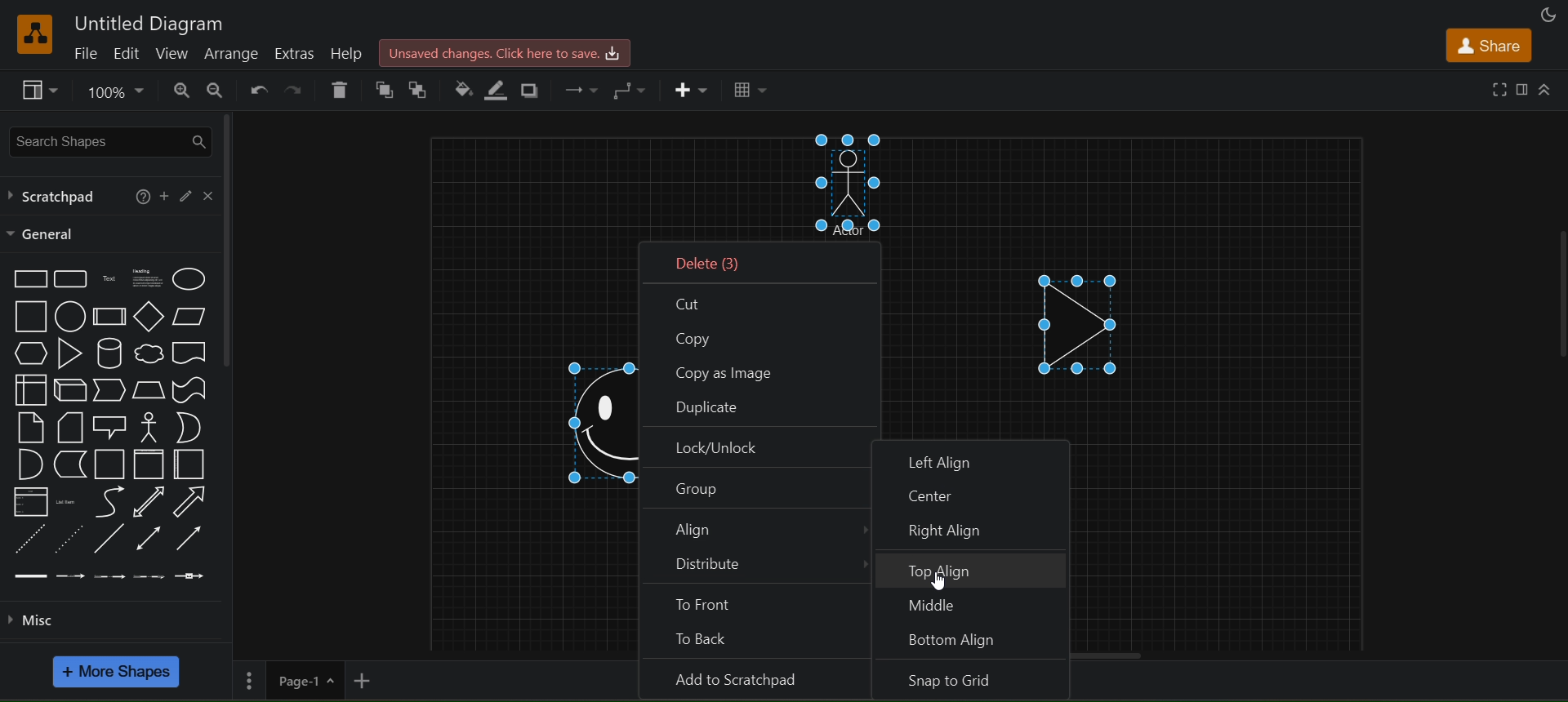  What do you see at coordinates (1491, 45) in the screenshot?
I see `share` at bounding box center [1491, 45].